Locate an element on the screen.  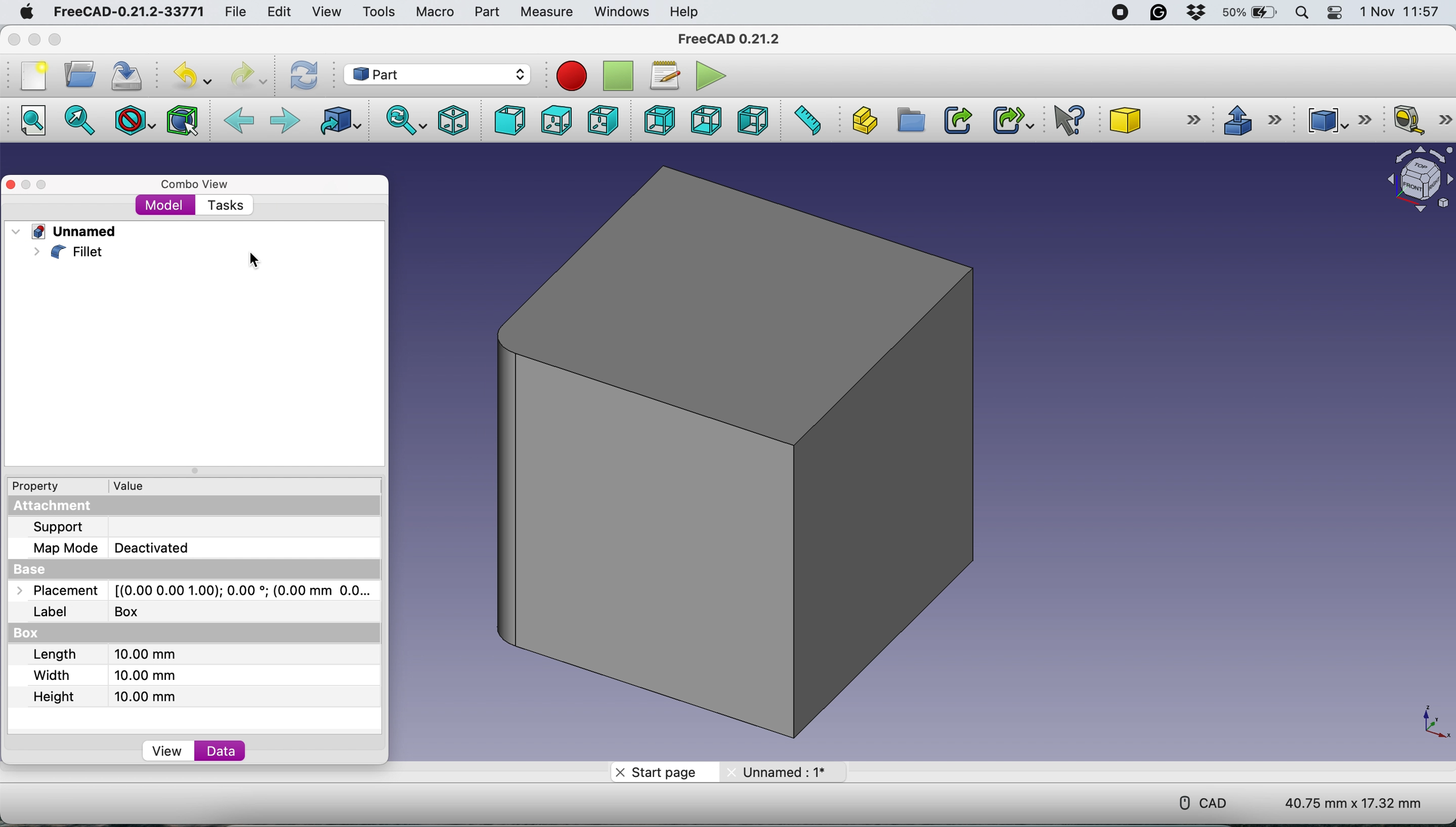
save is located at coordinates (131, 75).